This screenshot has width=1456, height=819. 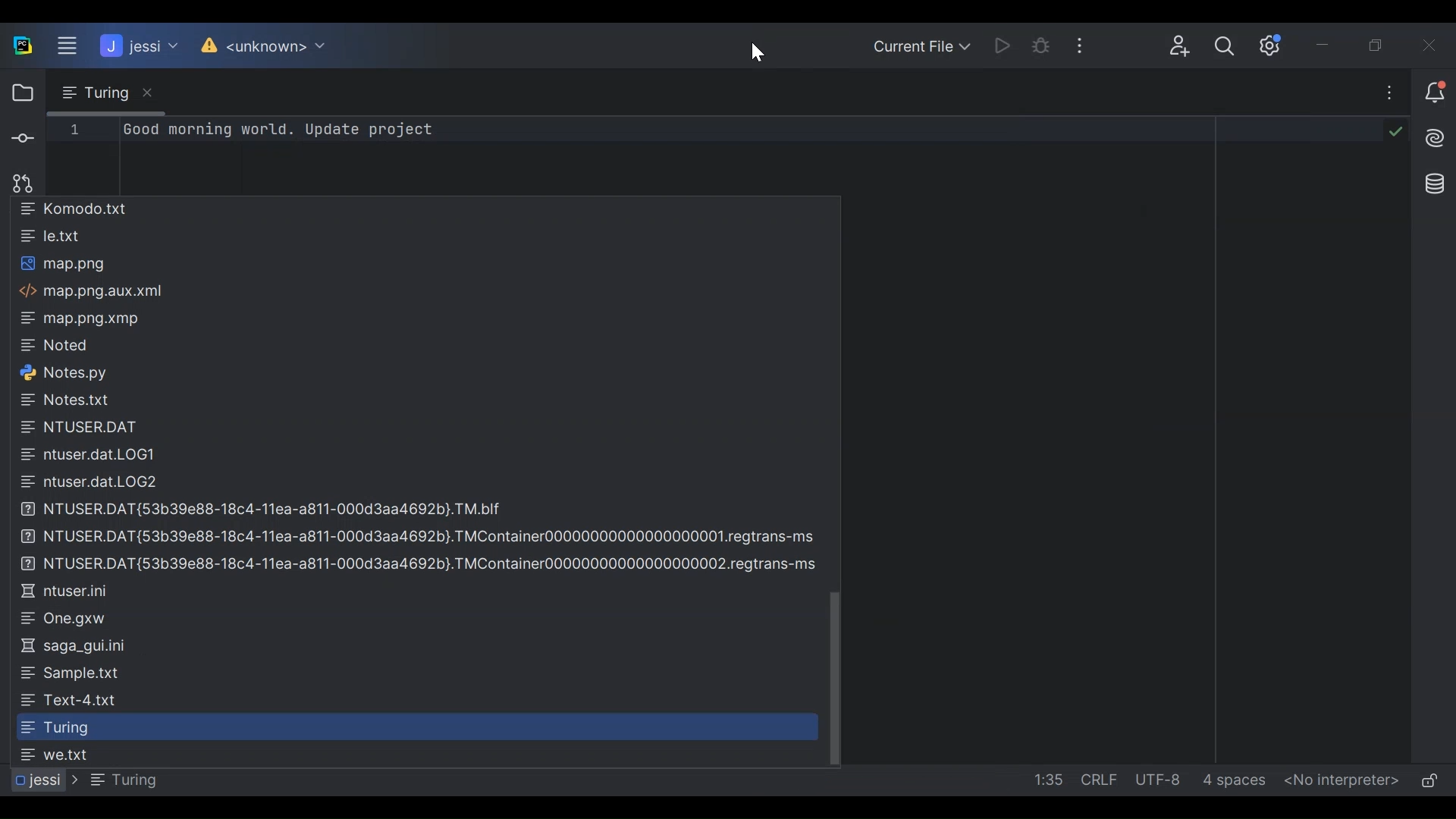 What do you see at coordinates (836, 673) in the screenshot?
I see `scroll bar` at bounding box center [836, 673].